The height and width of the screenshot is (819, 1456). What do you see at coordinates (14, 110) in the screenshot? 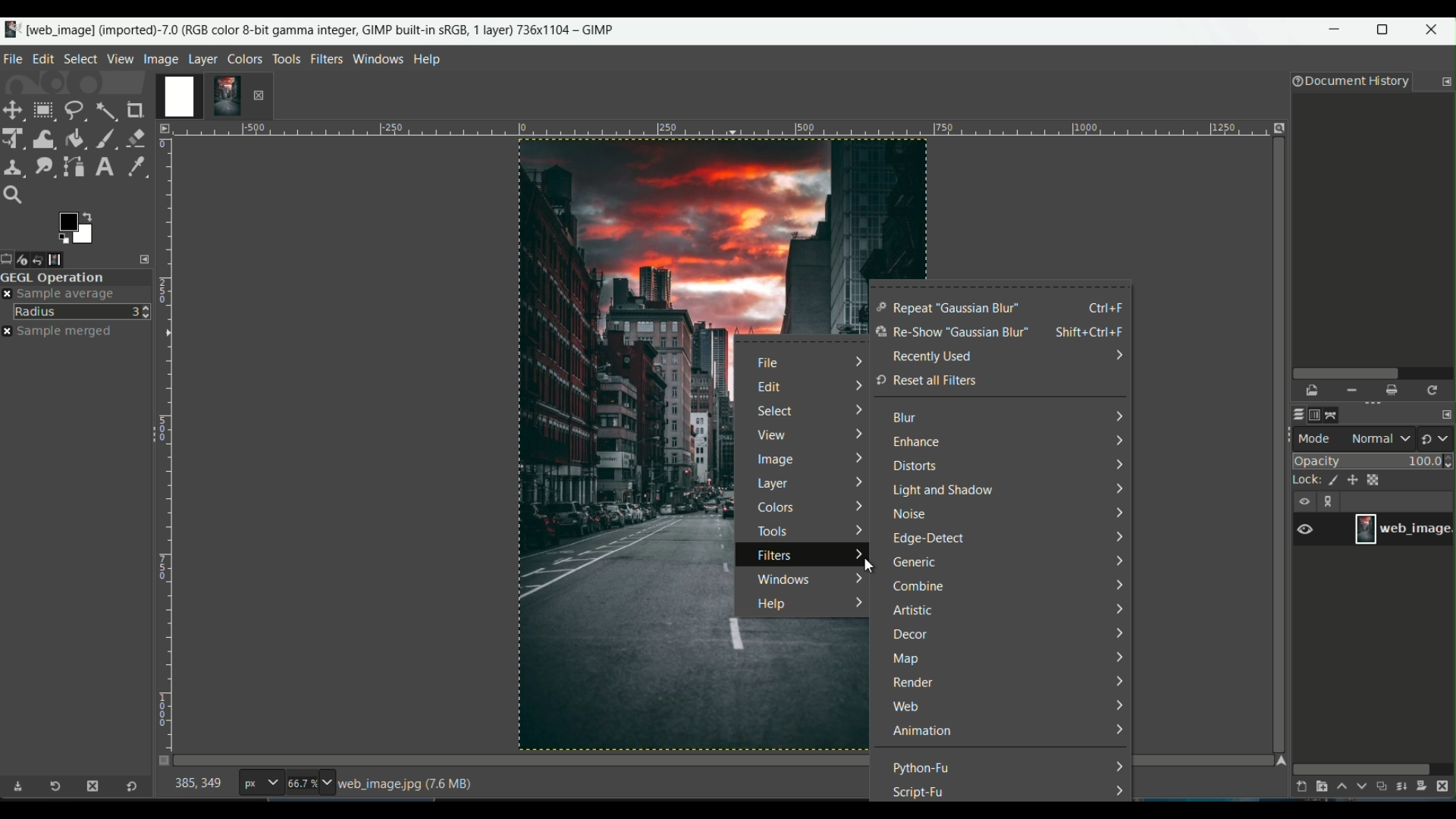
I see `move tool` at bounding box center [14, 110].